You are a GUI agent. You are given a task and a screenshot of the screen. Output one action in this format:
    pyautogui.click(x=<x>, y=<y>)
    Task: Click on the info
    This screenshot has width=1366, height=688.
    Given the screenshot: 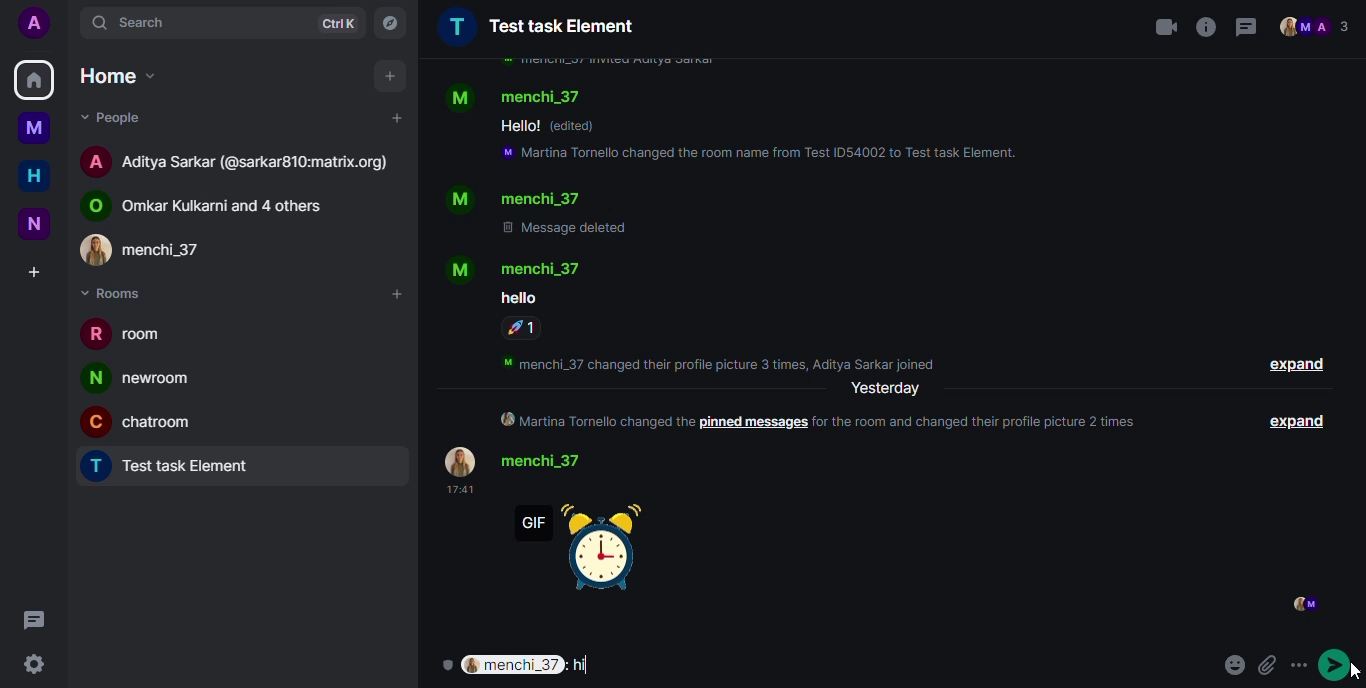 What is the action you would take?
    pyautogui.click(x=1206, y=26)
    